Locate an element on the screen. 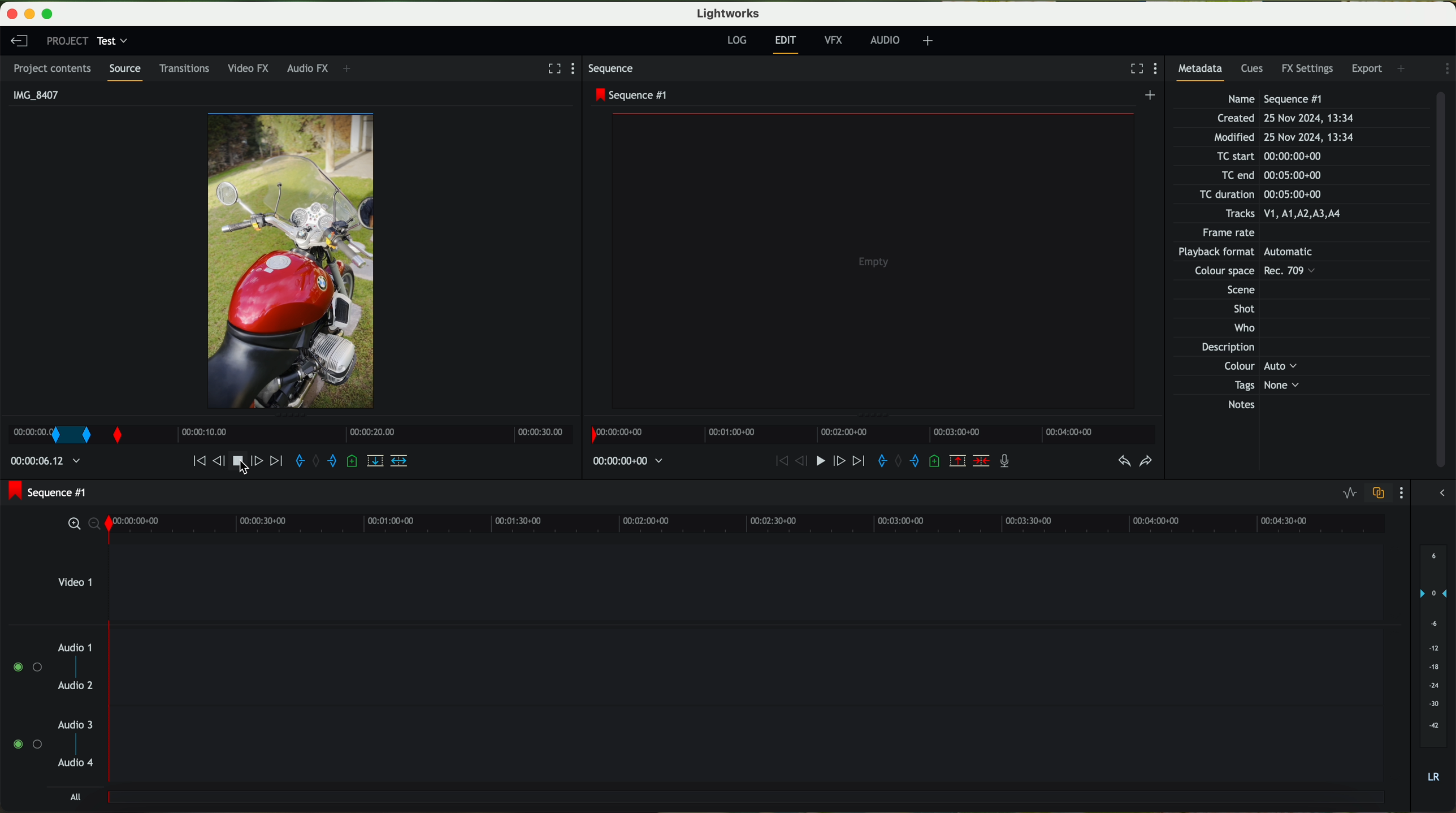 The image size is (1456, 813). nudge one frame back is located at coordinates (221, 460).